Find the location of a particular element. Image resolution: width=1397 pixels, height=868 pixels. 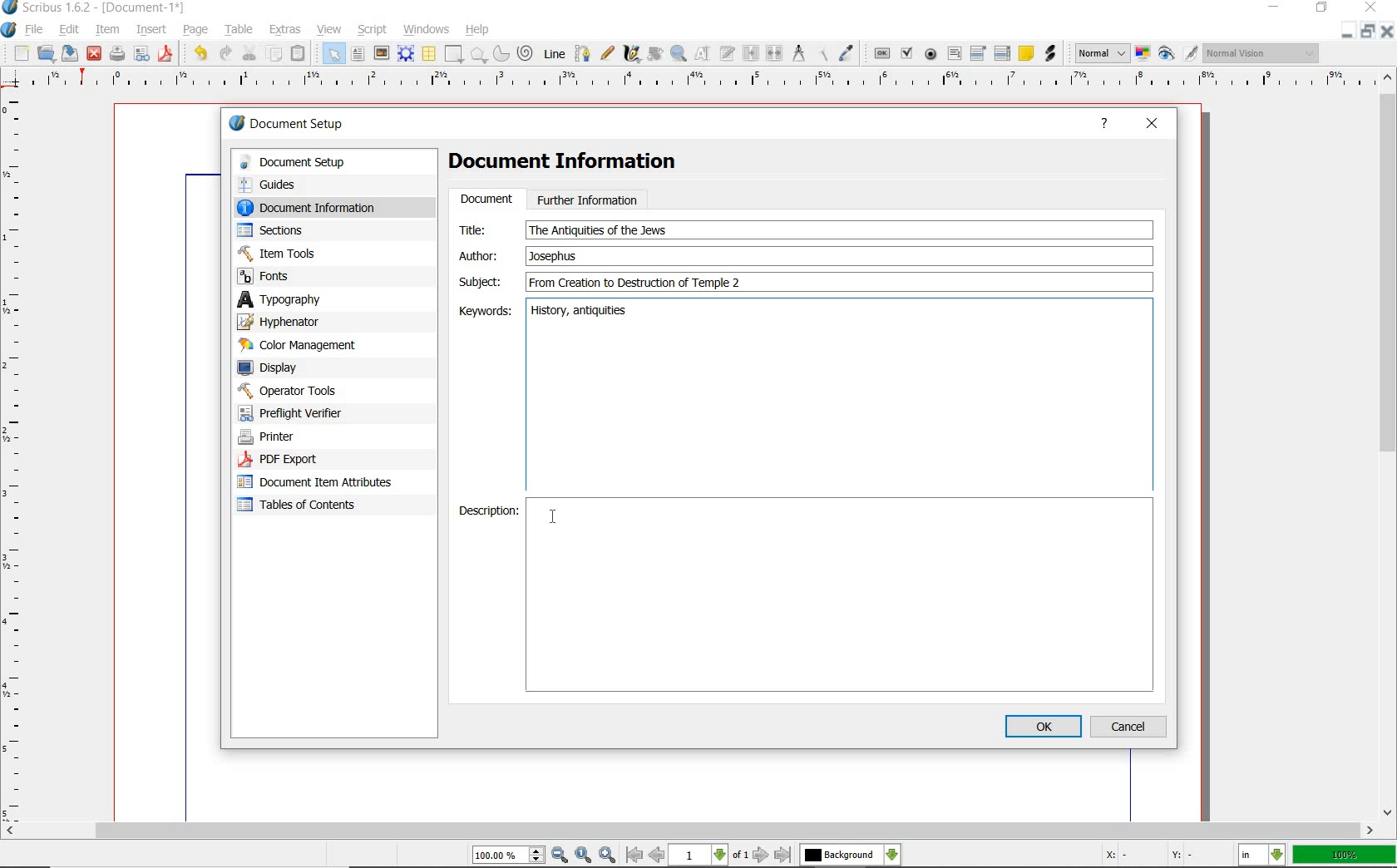

help is located at coordinates (480, 28).